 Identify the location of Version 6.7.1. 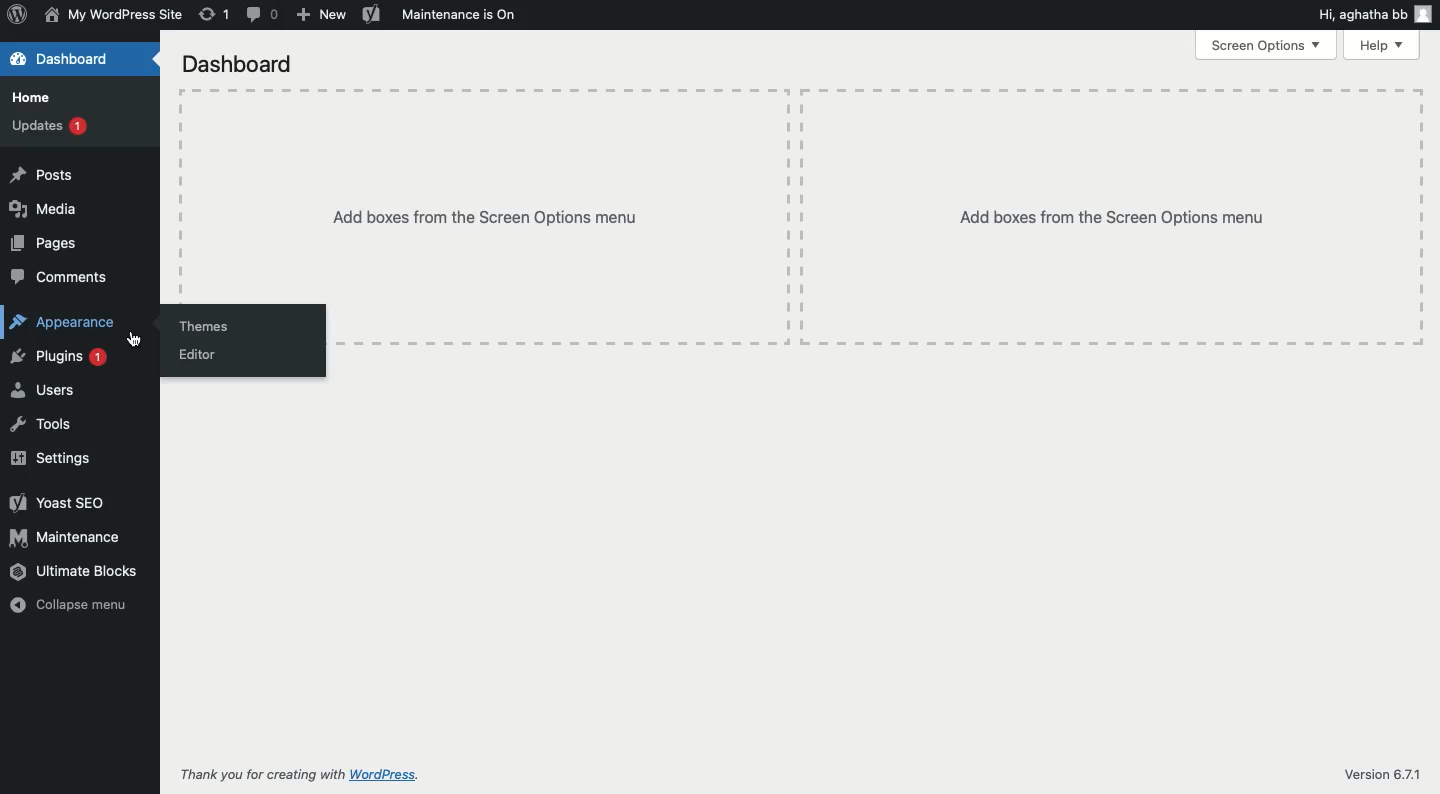
(1381, 777).